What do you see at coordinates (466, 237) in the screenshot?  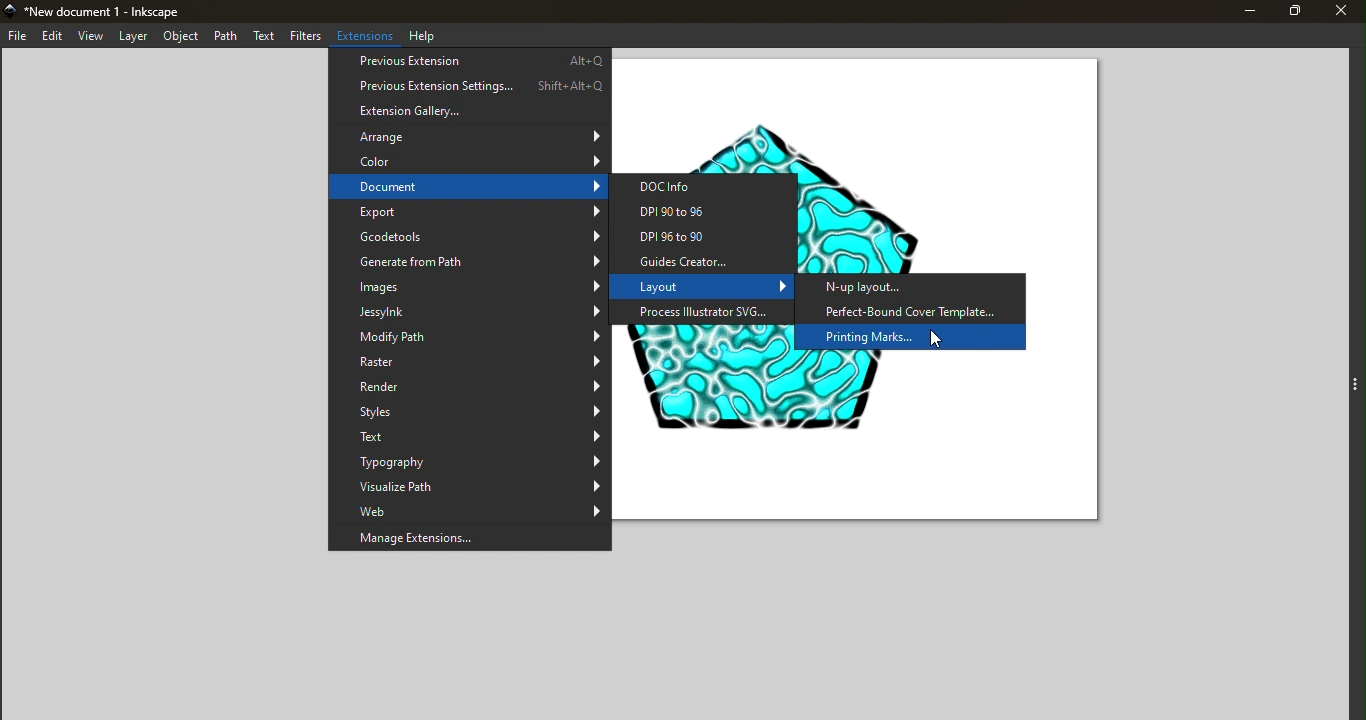 I see `Gcodetools` at bounding box center [466, 237].